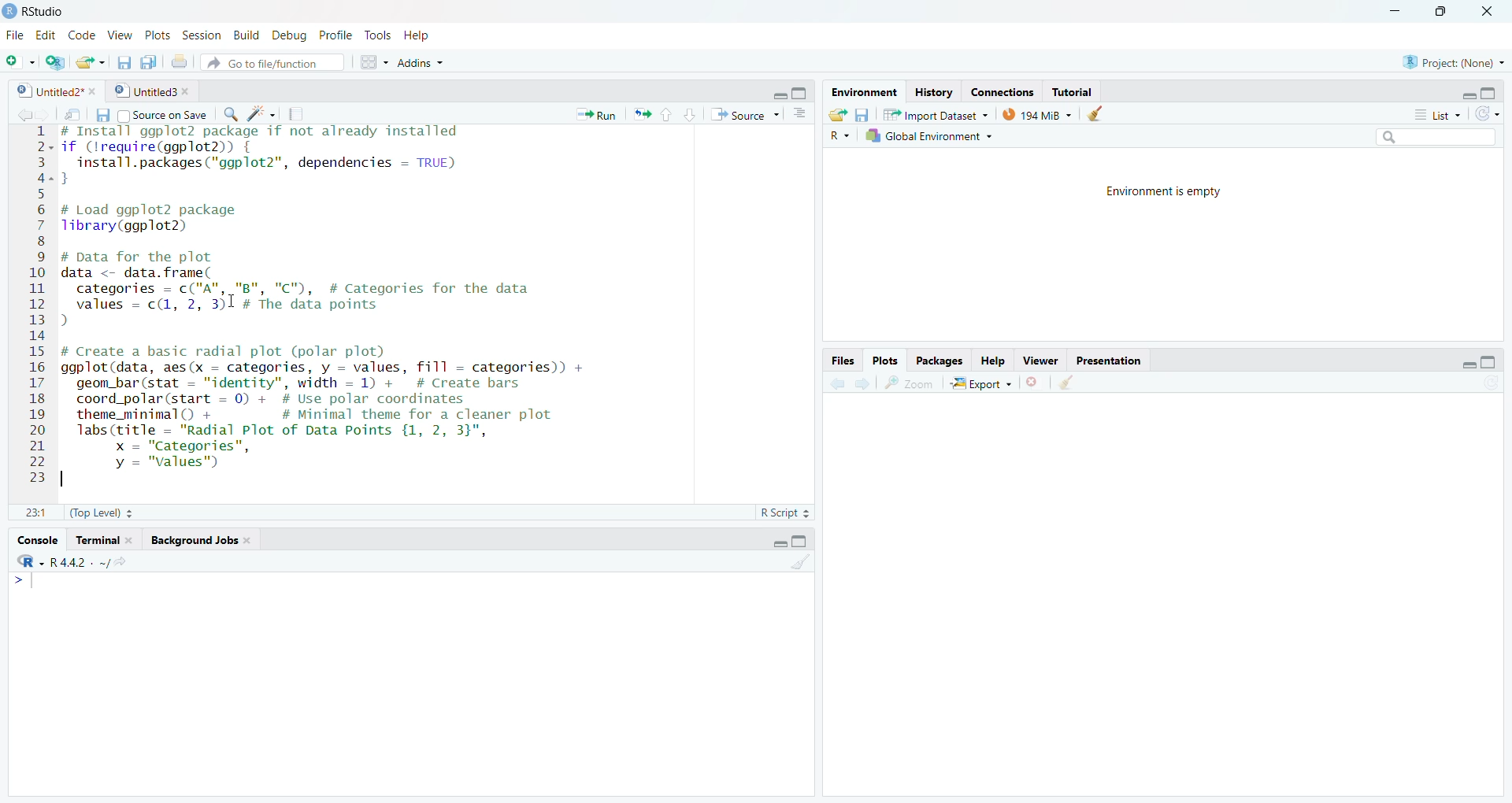 The image size is (1512, 803). What do you see at coordinates (939, 113) in the screenshot?
I see `Import Dataset ` at bounding box center [939, 113].